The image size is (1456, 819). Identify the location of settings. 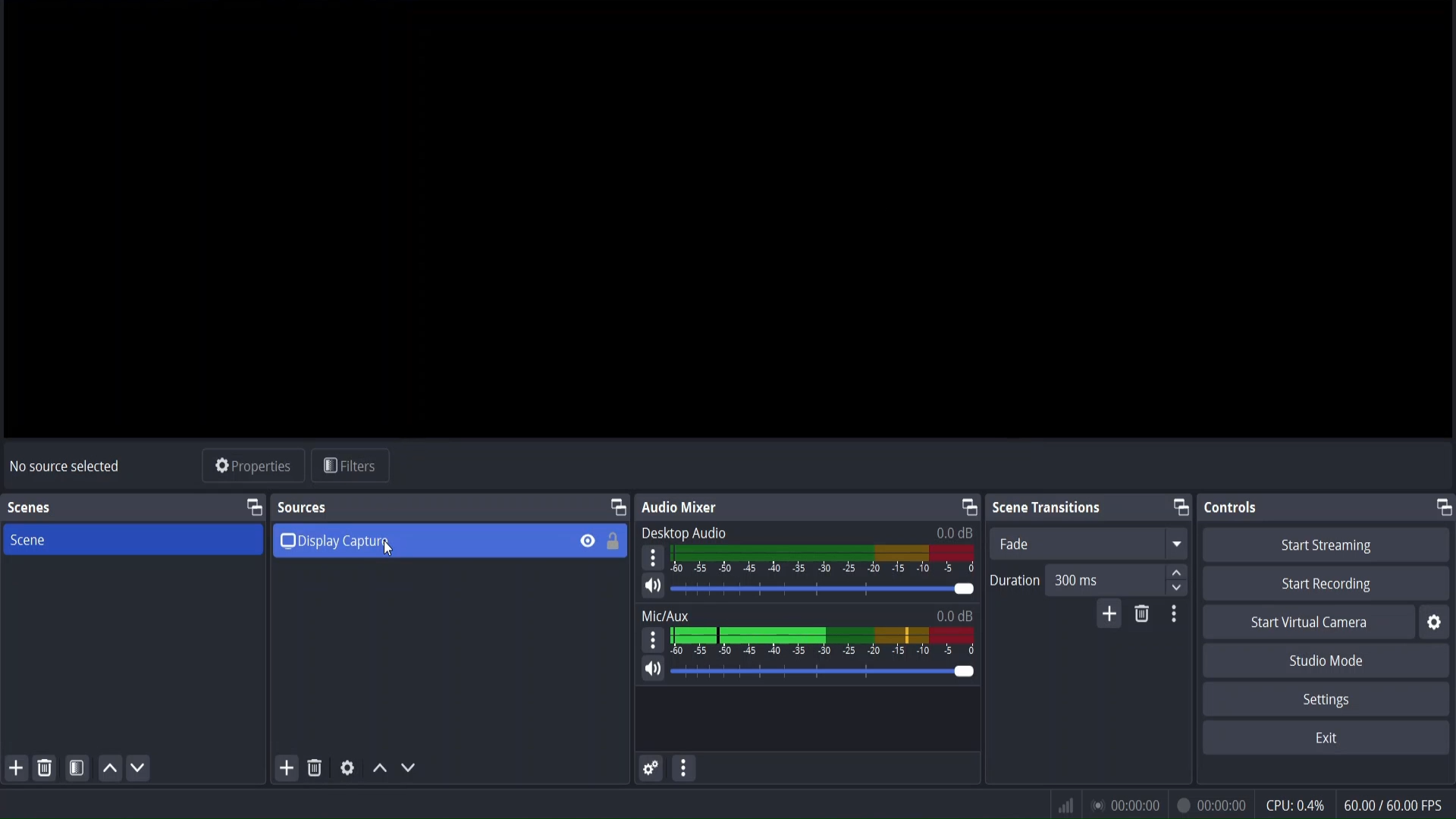
(1434, 623).